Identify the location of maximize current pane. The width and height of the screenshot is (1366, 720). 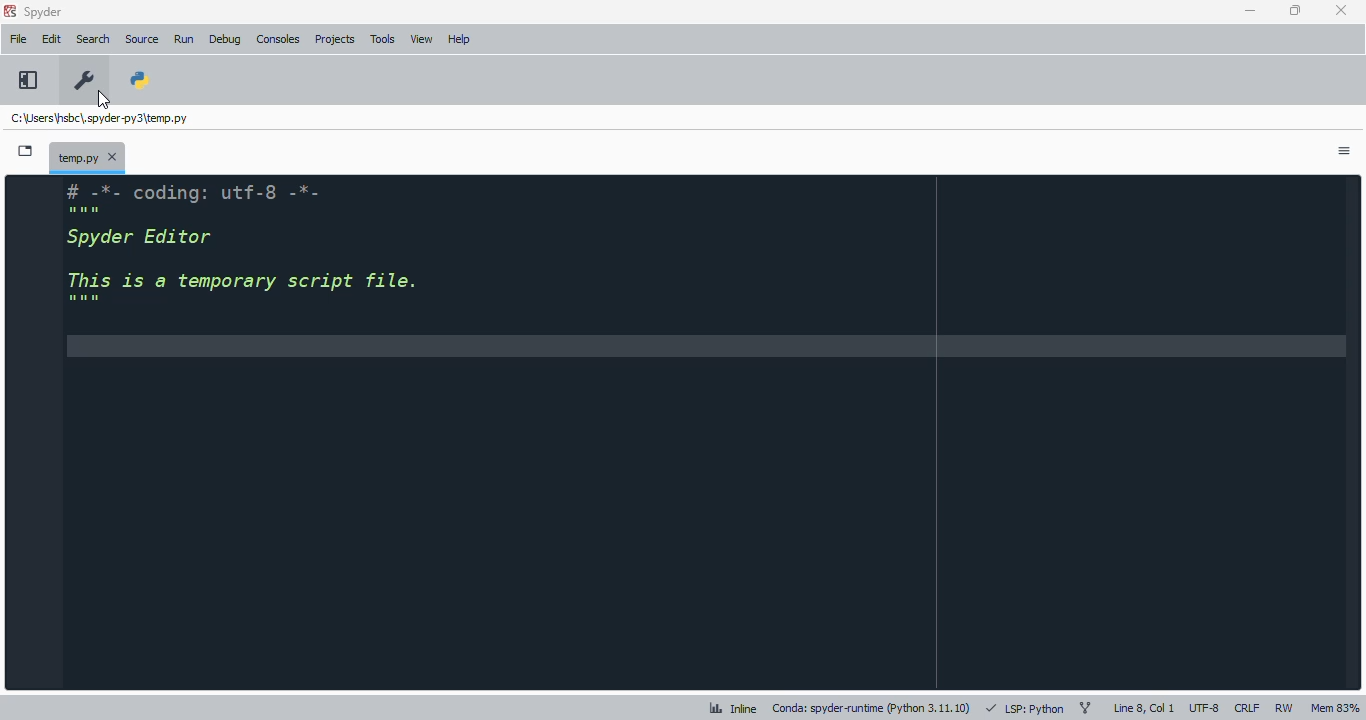
(28, 79).